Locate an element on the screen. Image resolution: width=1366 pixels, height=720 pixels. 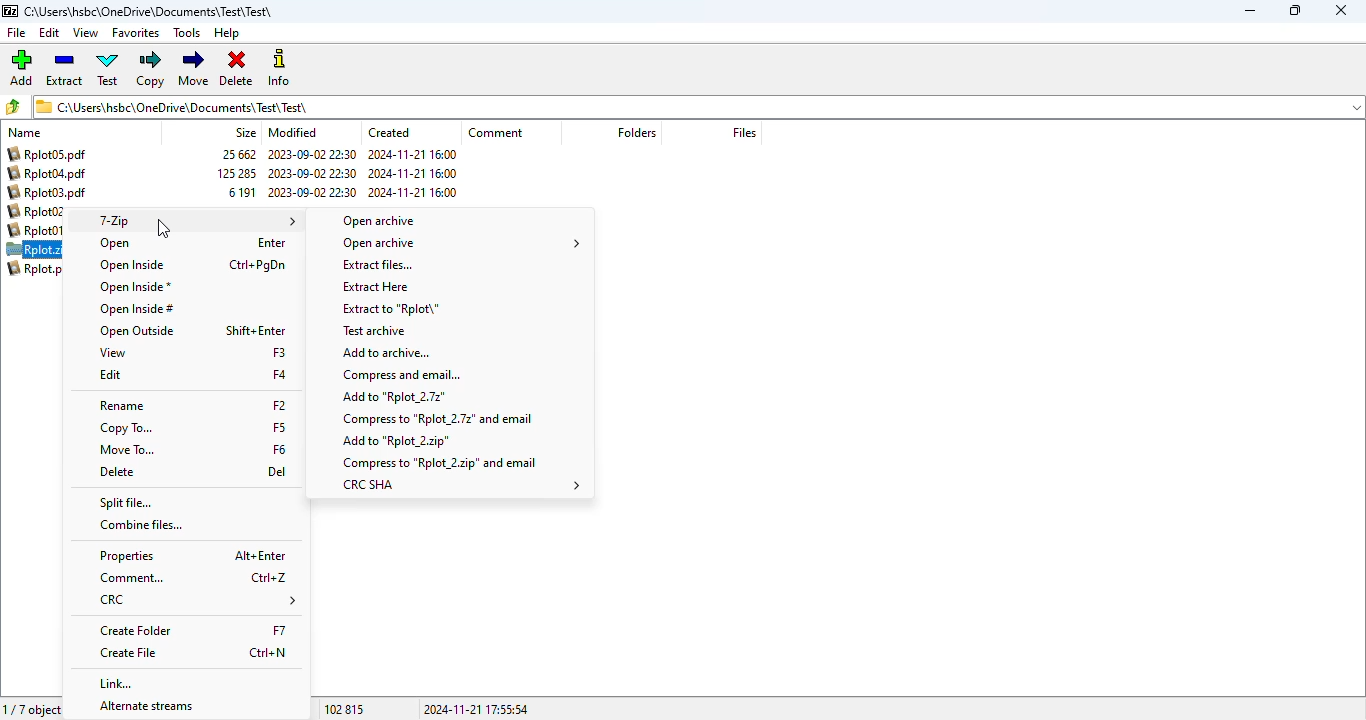
Ctrl+PgDn is located at coordinates (258, 265).